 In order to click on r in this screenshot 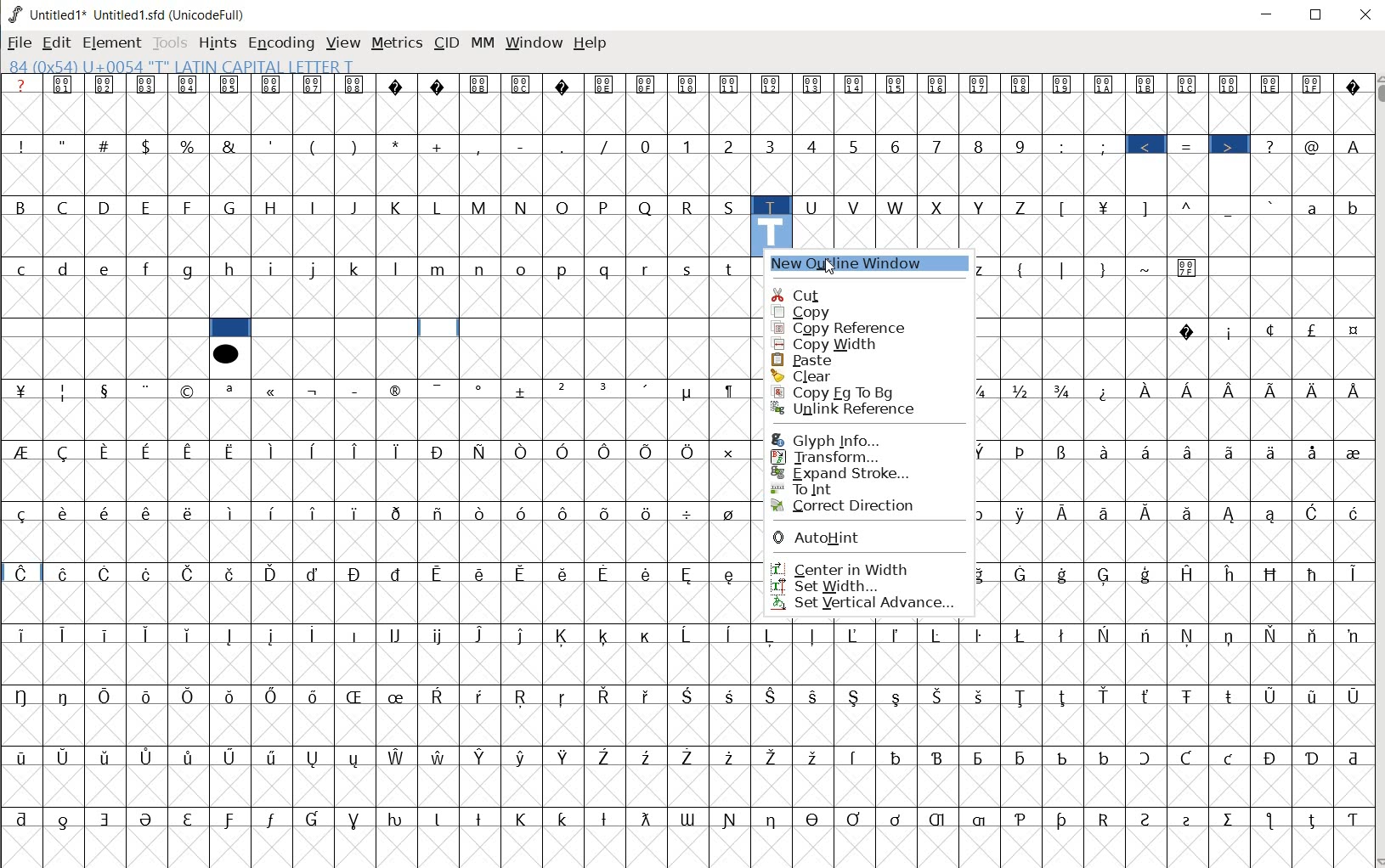, I will do `click(647, 268)`.